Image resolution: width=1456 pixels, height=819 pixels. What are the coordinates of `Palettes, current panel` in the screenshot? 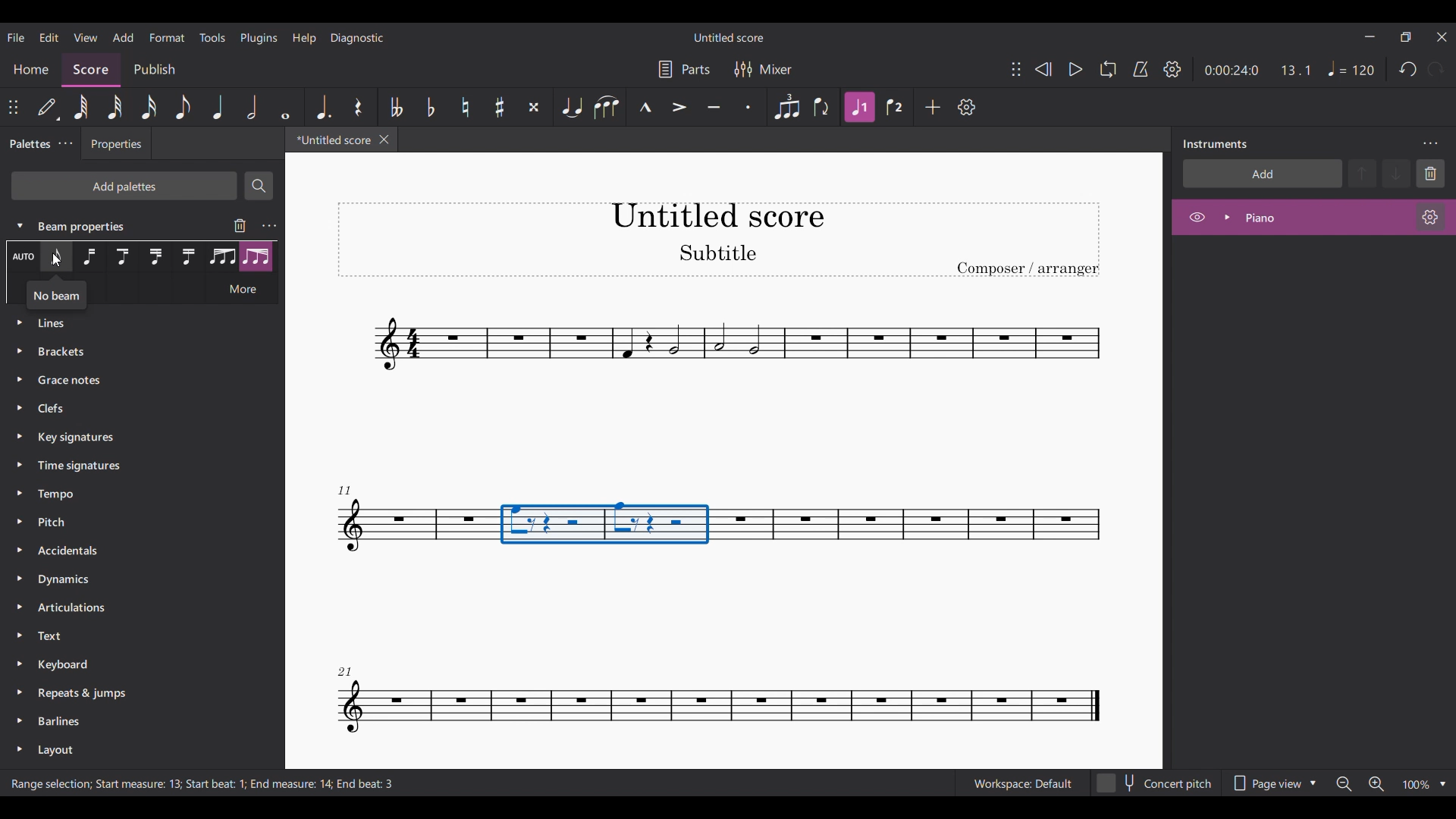 It's located at (27, 146).